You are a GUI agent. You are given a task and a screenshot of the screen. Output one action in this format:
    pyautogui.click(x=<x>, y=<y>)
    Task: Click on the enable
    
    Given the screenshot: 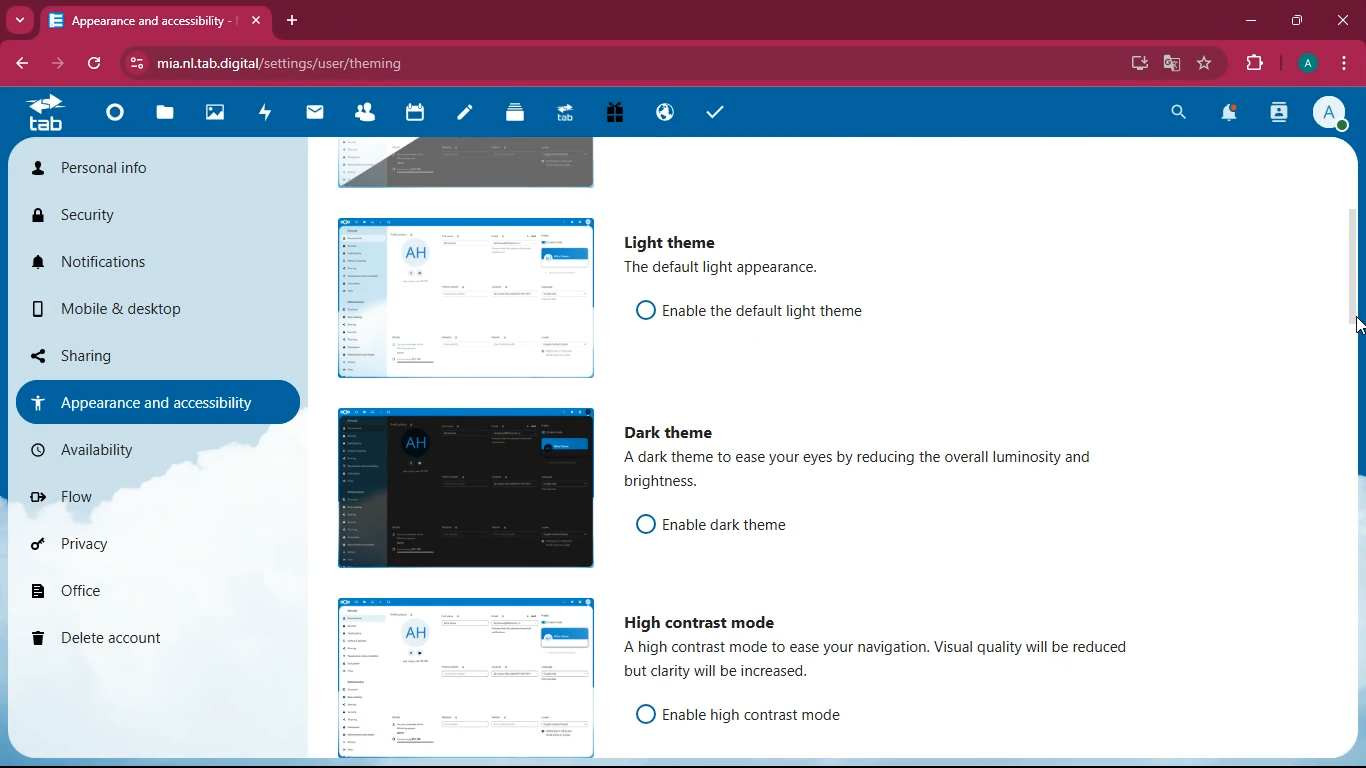 What is the action you would take?
    pyautogui.click(x=765, y=309)
    